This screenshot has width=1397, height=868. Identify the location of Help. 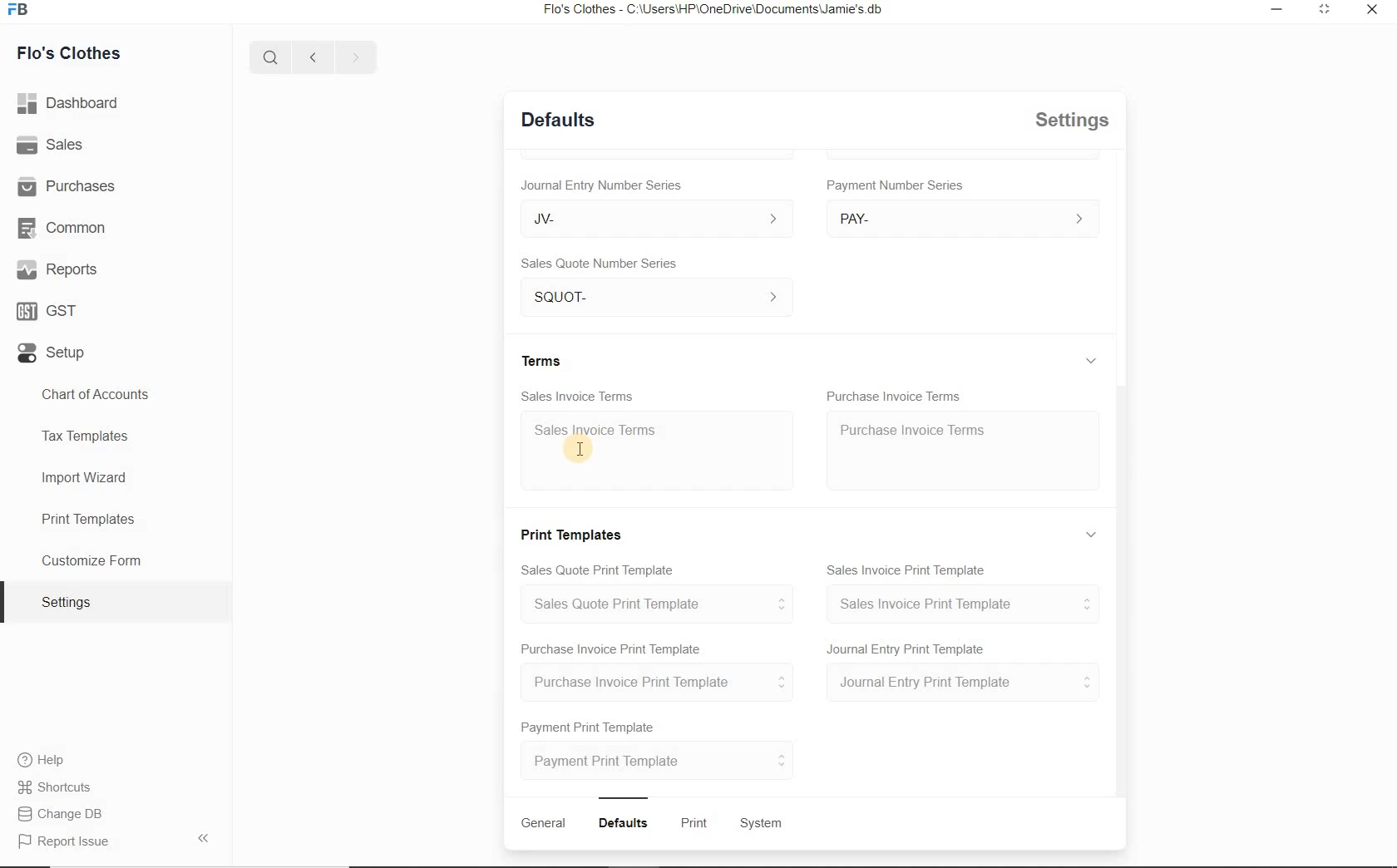
(47, 762).